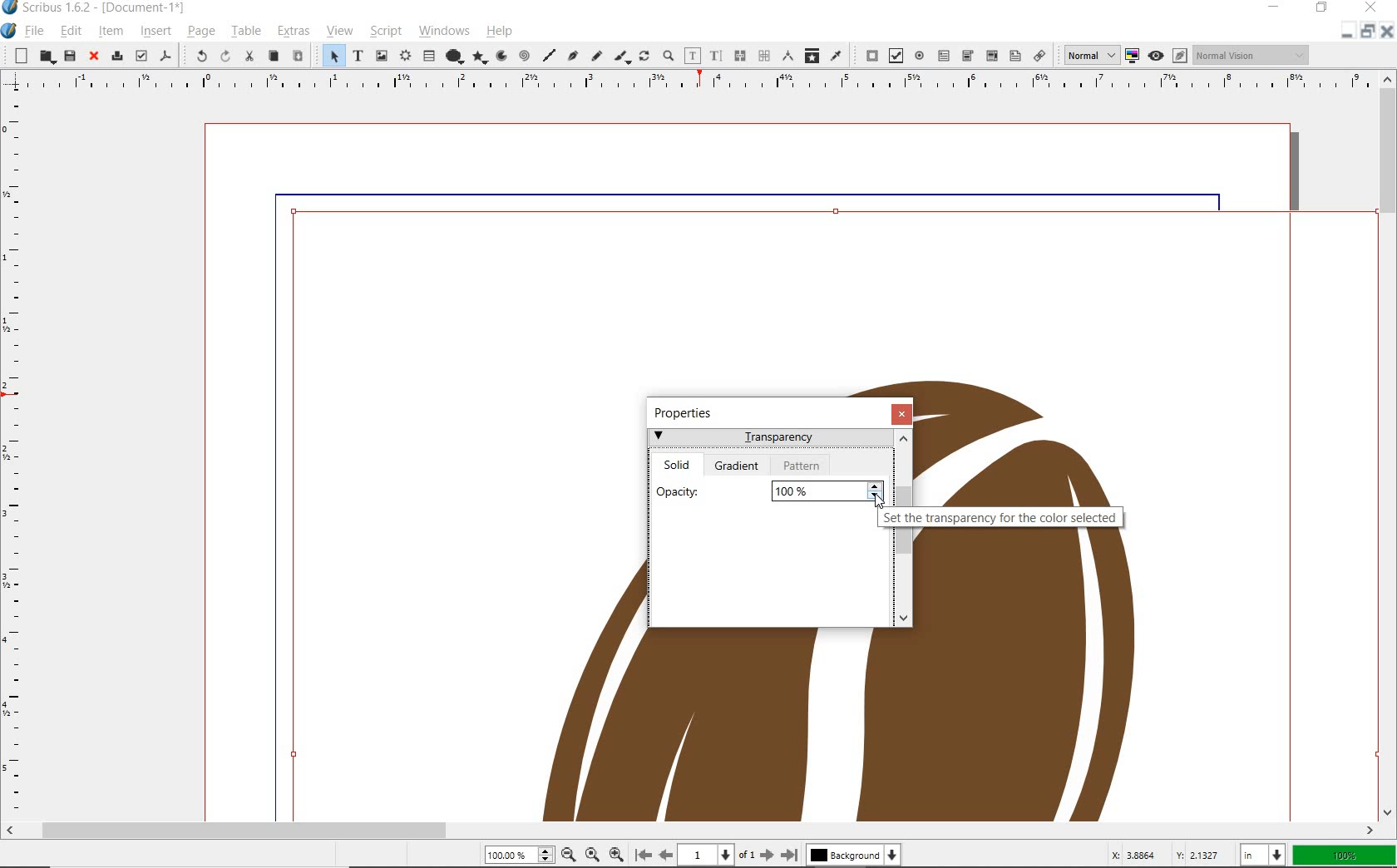 The image size is (1397, 868). I want to click on text frame, so click(358, 55).